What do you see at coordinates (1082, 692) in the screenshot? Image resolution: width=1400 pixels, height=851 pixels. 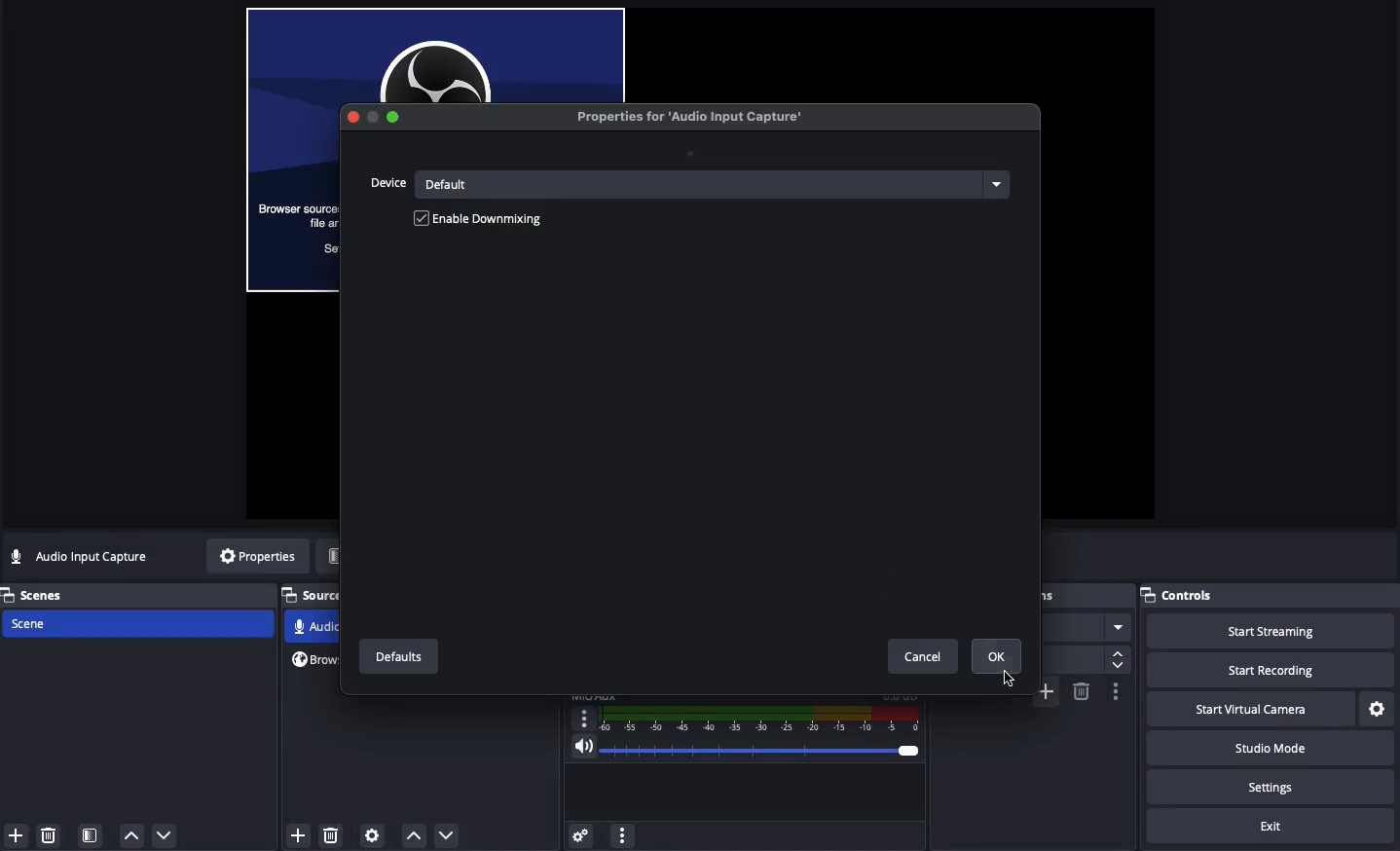 I see `Remove` at bounding box center [1082, 692].